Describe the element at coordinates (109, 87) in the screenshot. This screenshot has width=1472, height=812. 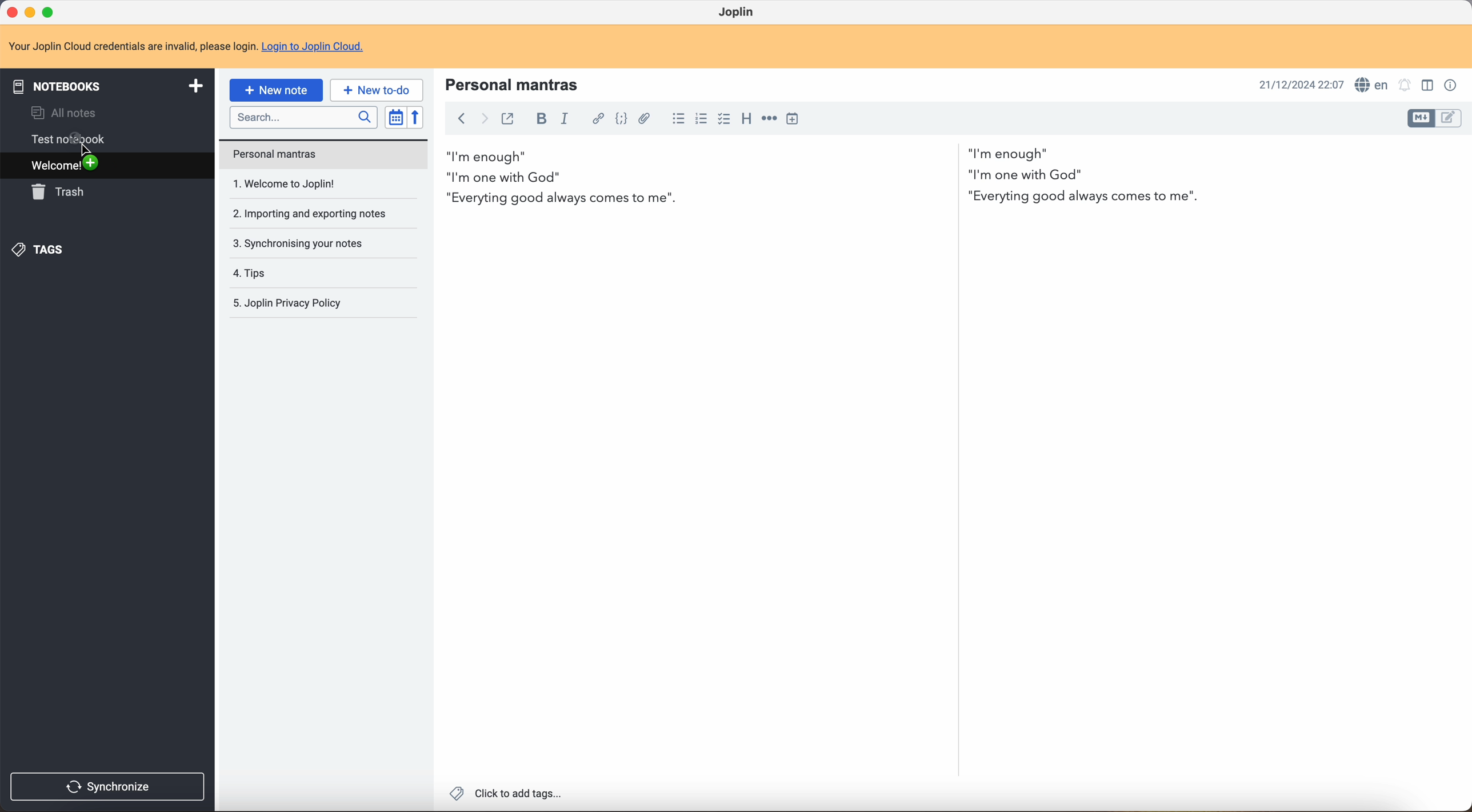
I see `notebooks` at that location.